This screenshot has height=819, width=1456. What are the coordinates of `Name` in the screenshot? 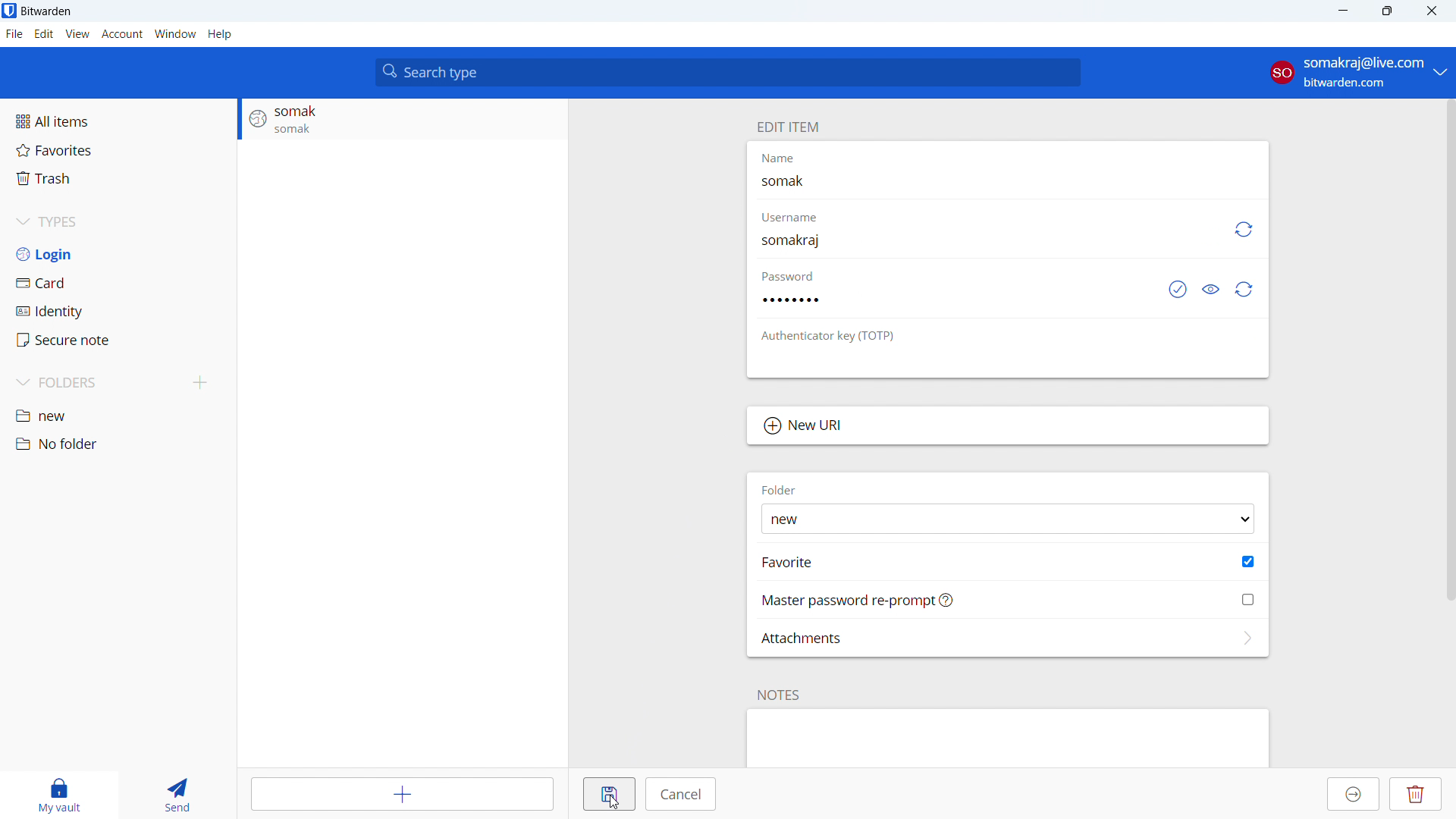 It's located at (785, 160).